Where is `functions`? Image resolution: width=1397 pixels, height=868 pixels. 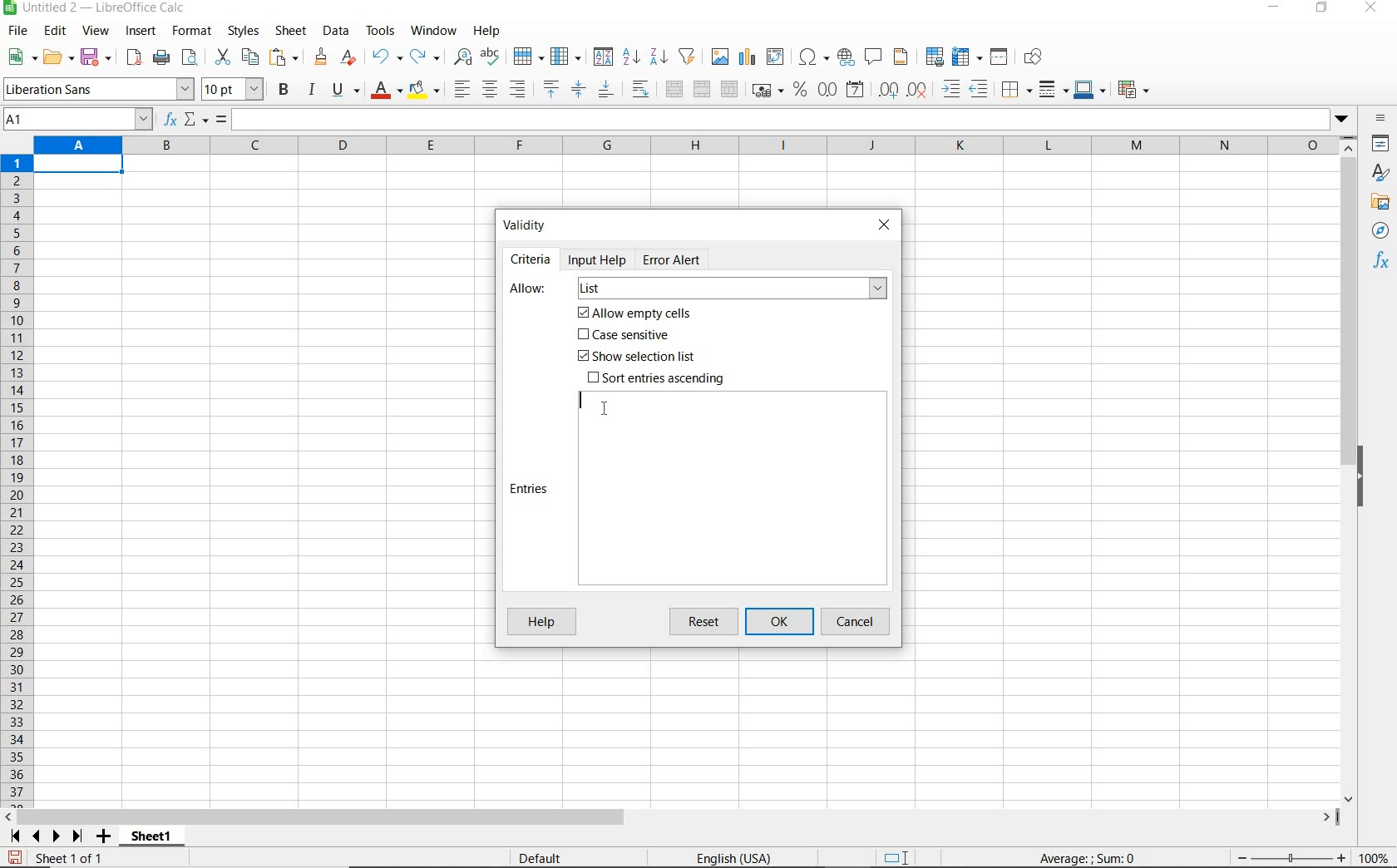 functions is located at coordinates (1384, 262).